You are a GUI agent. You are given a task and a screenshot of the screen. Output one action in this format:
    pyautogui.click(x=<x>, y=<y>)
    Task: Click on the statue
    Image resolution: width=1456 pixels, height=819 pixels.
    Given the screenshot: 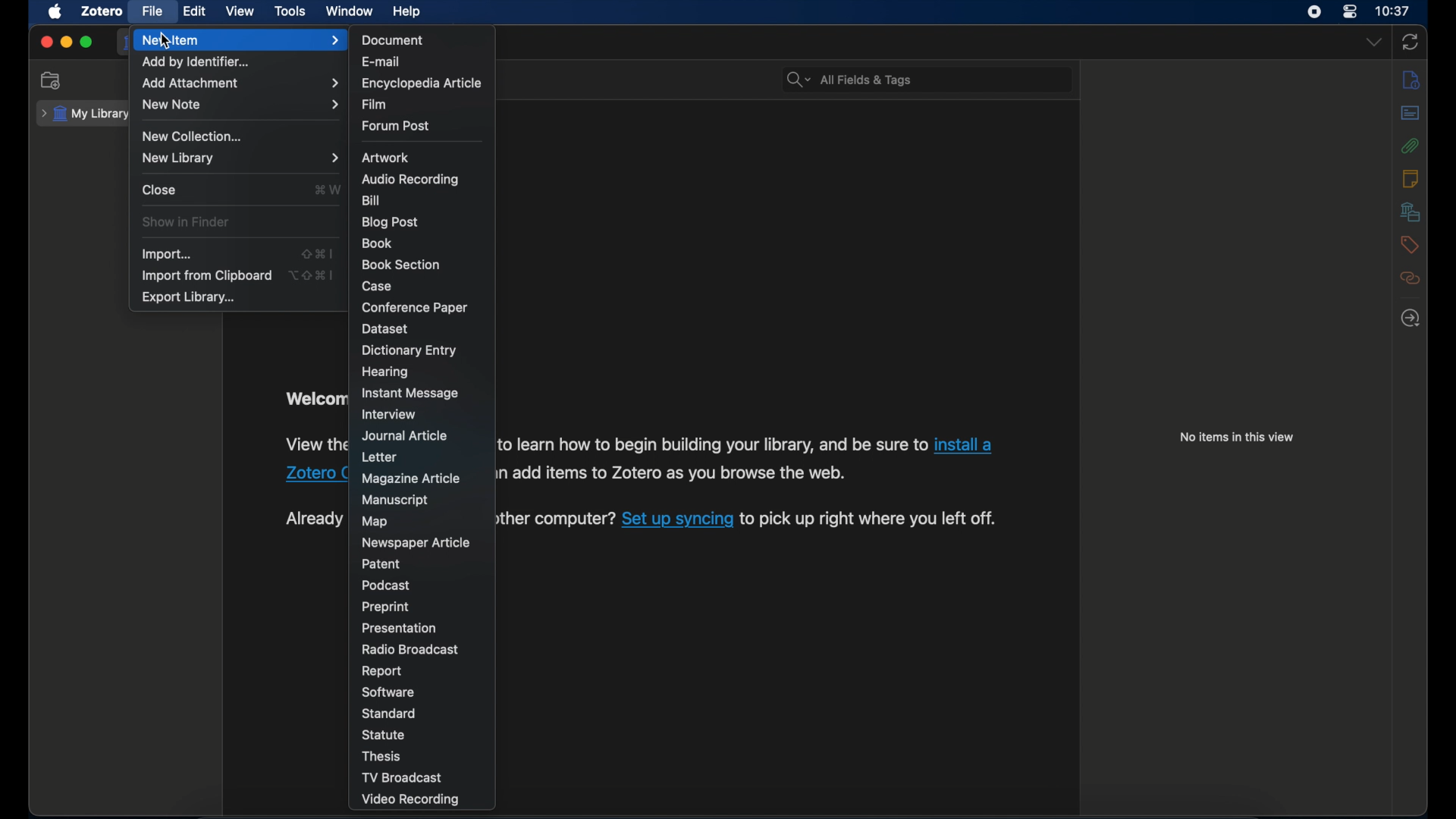 What is the action you would take?
    pyautogui.click(x=384, y=734)
    